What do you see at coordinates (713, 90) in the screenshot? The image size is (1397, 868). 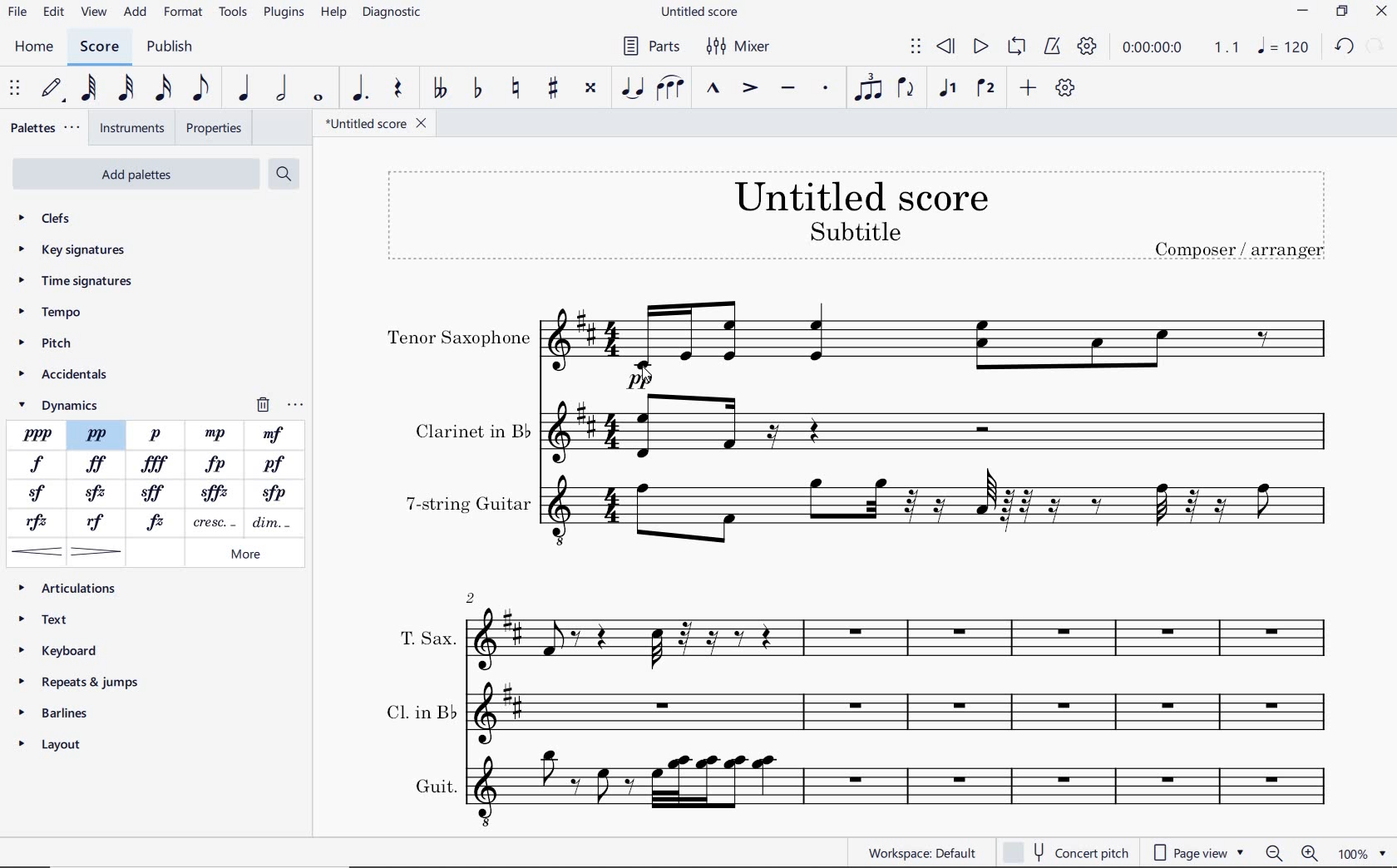 I see `MARCATO` at bounding box center [713, 90].